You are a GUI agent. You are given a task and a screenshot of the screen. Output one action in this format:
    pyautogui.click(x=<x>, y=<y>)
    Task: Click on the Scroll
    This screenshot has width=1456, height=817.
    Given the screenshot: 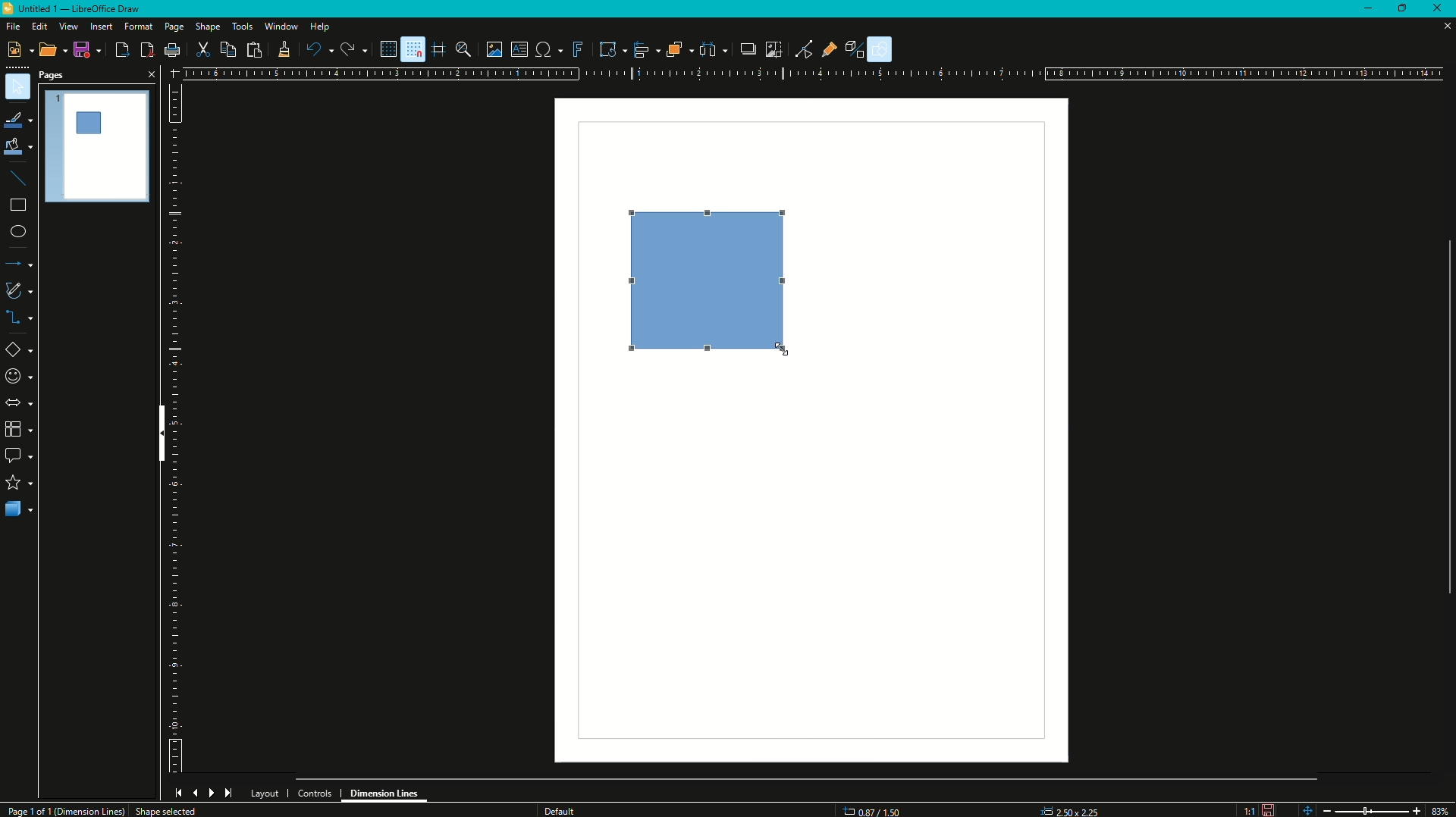 What is the action you would take?
    pyautogui.click(x=808, y=777)
    